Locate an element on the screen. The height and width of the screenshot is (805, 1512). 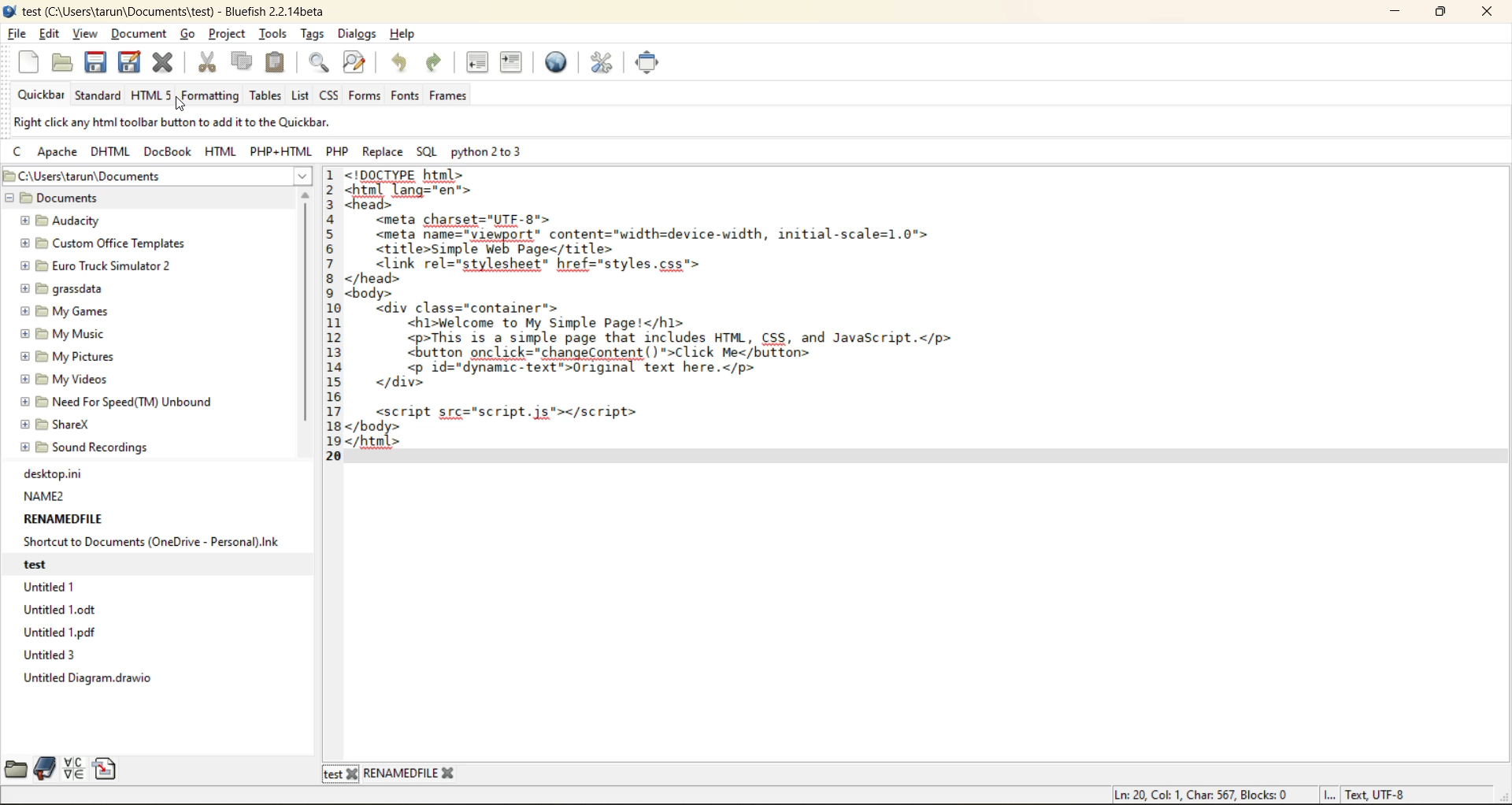
fonts is located at coordinates (406, 98).